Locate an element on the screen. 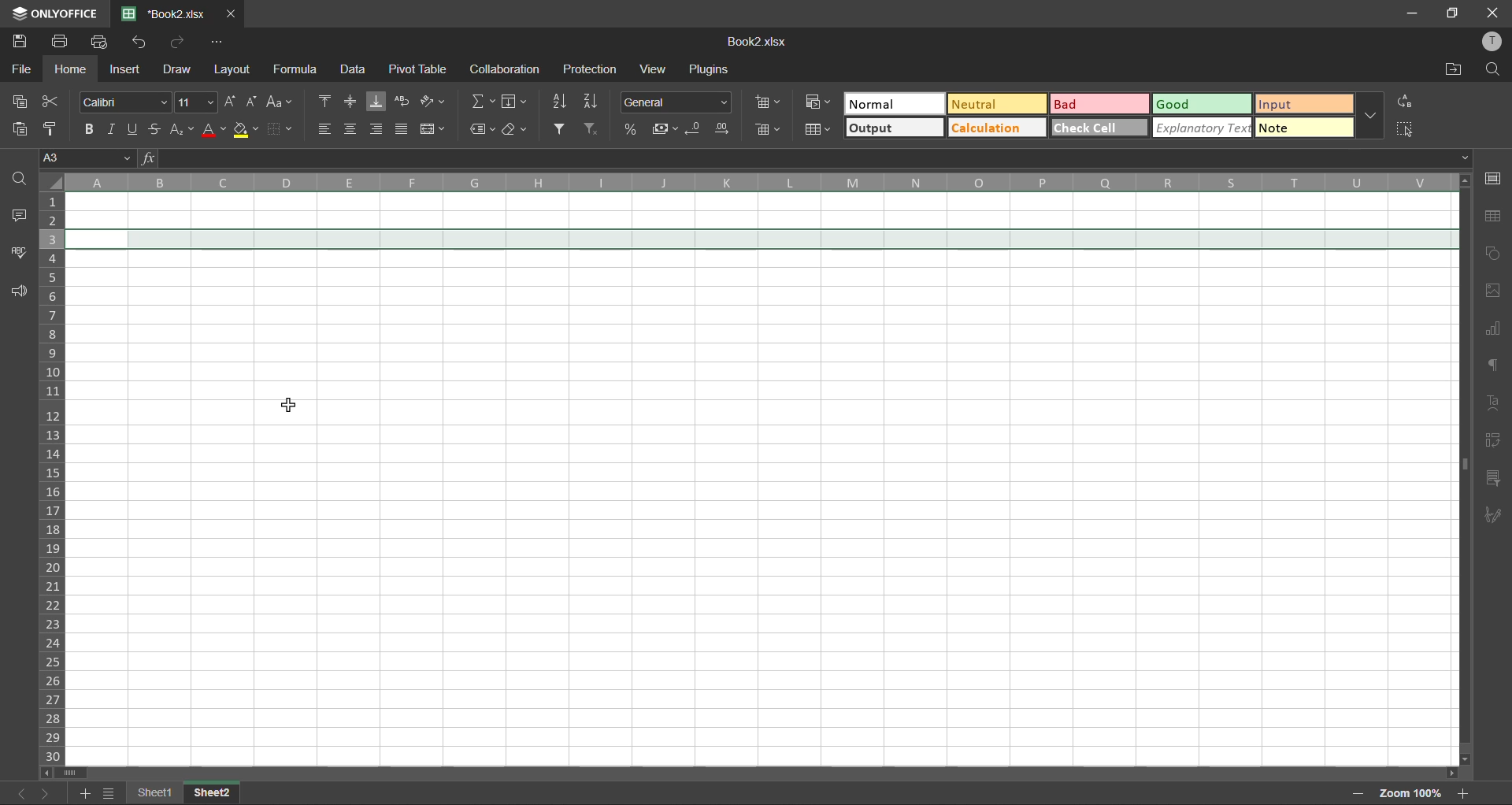 The height and width of the screenshot is (805, 1512). sort ascending is located at coordinates (562, 101).